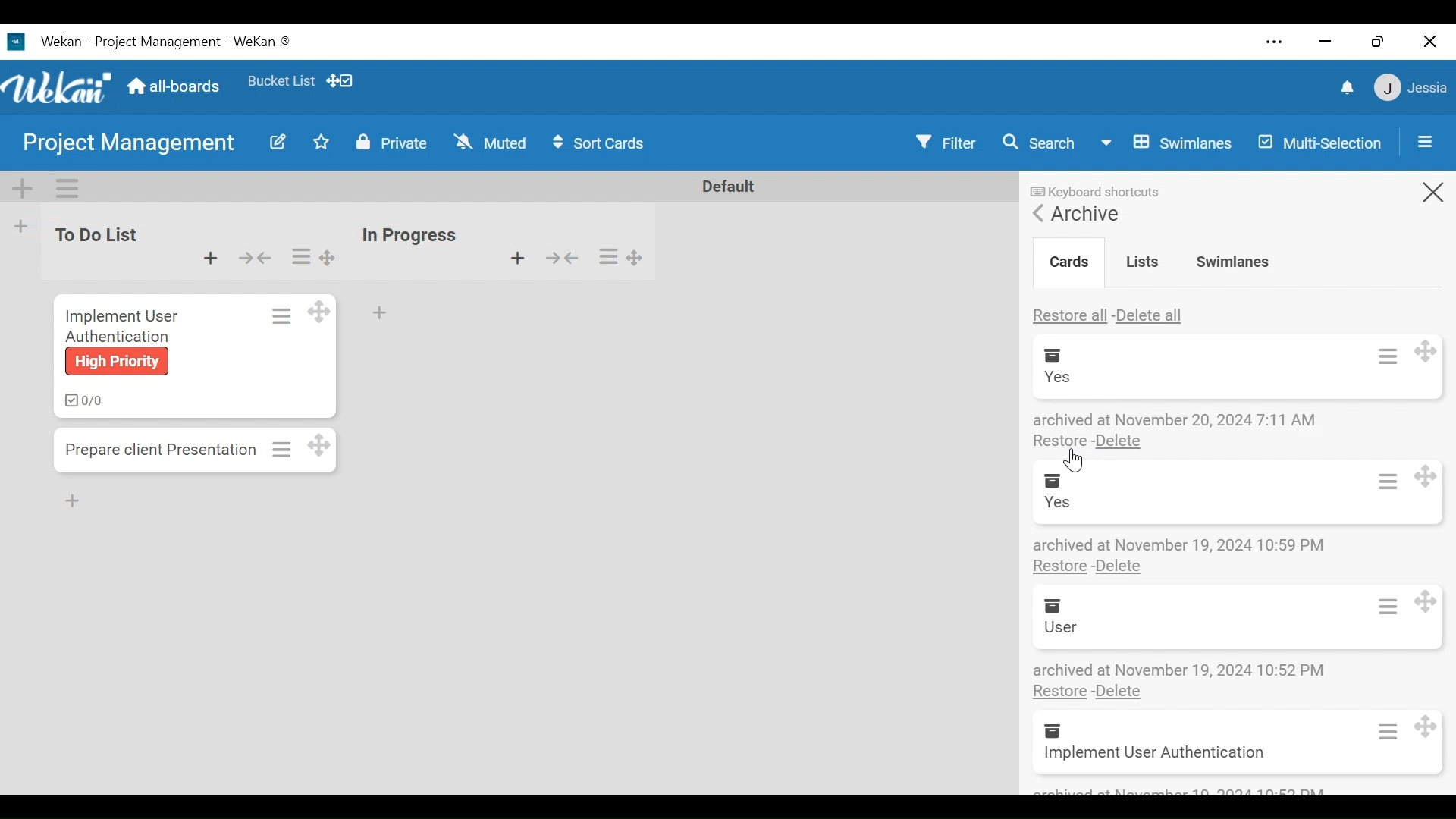 This screenshot has height=819, width=1456. I want to click on Implement user authentication, so click(121, 325).